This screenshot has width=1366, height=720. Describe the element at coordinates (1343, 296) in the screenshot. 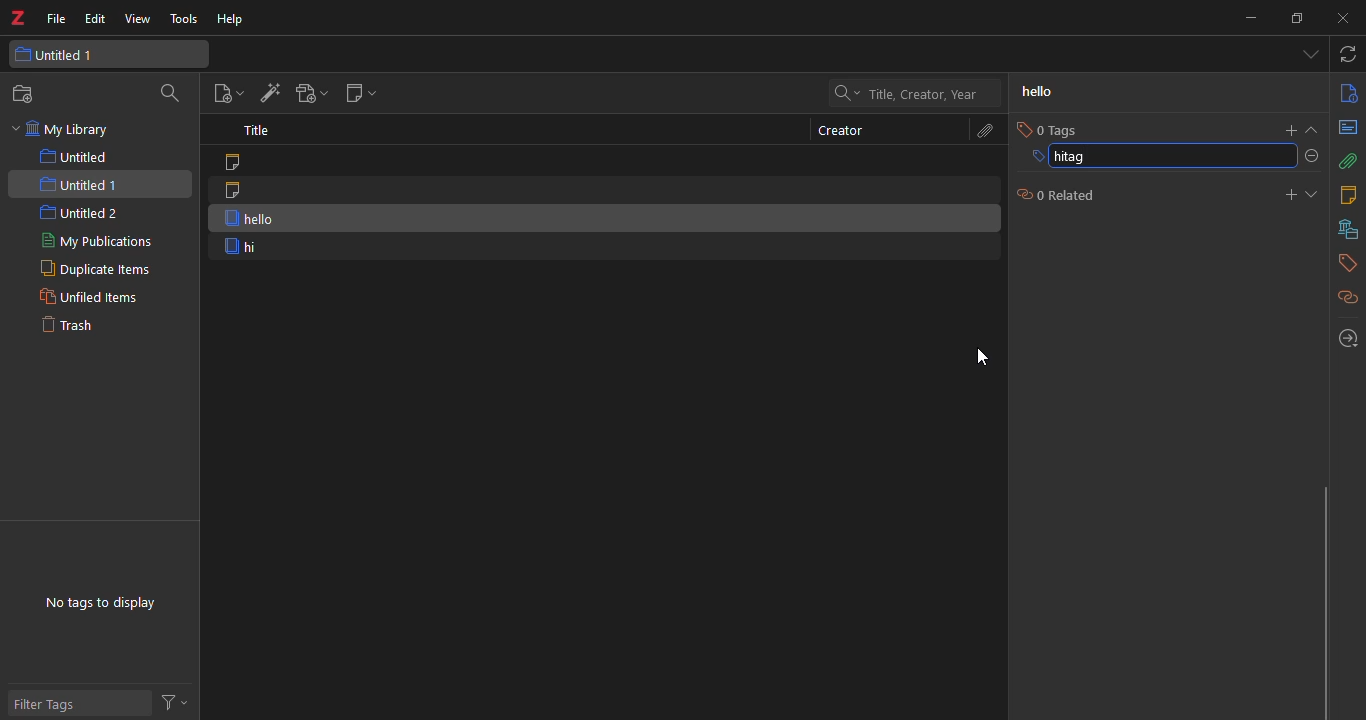

I see `related` at that location.